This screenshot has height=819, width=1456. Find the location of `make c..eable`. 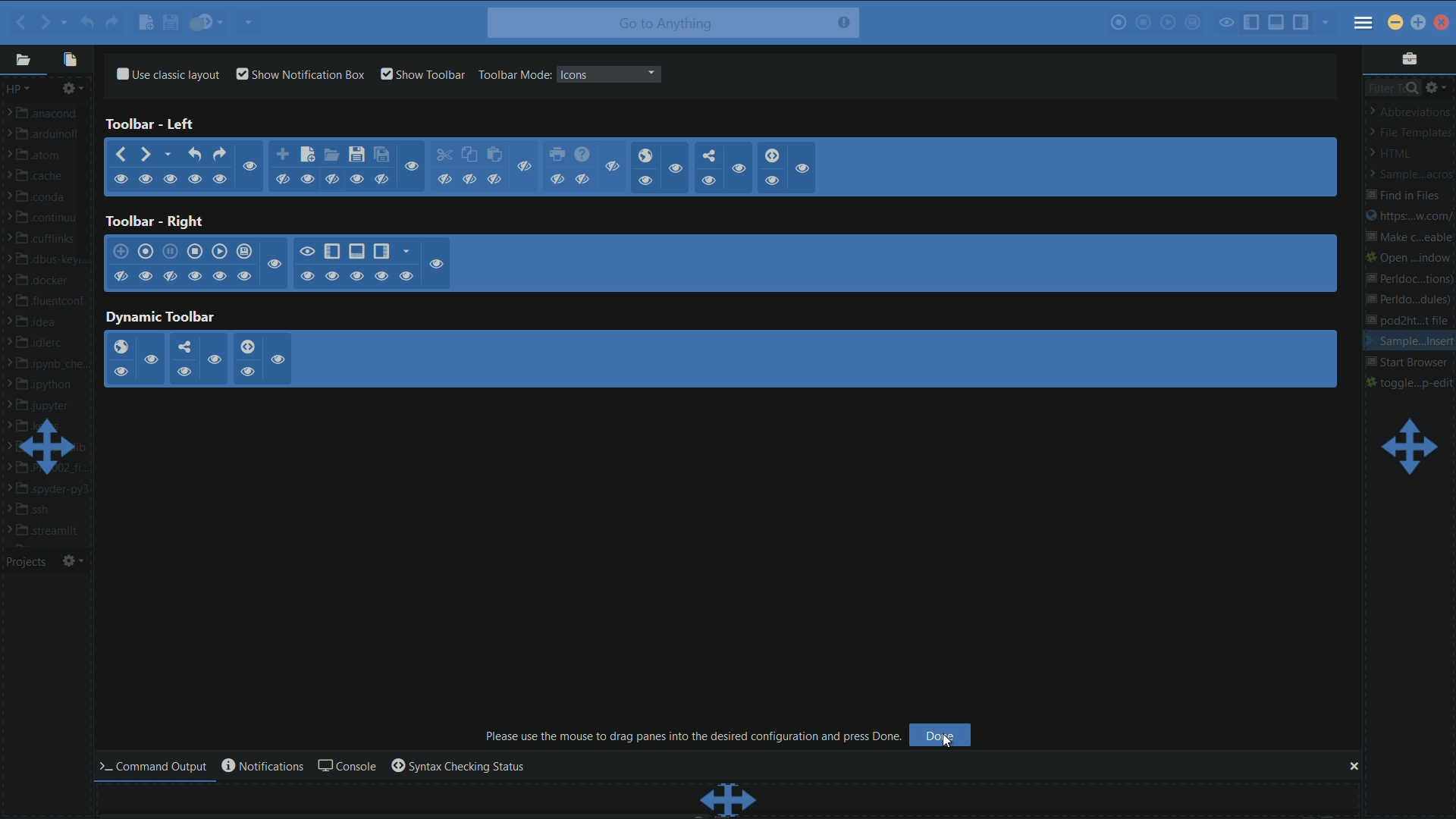

make c..eable is located at coordinates (1407, 239).